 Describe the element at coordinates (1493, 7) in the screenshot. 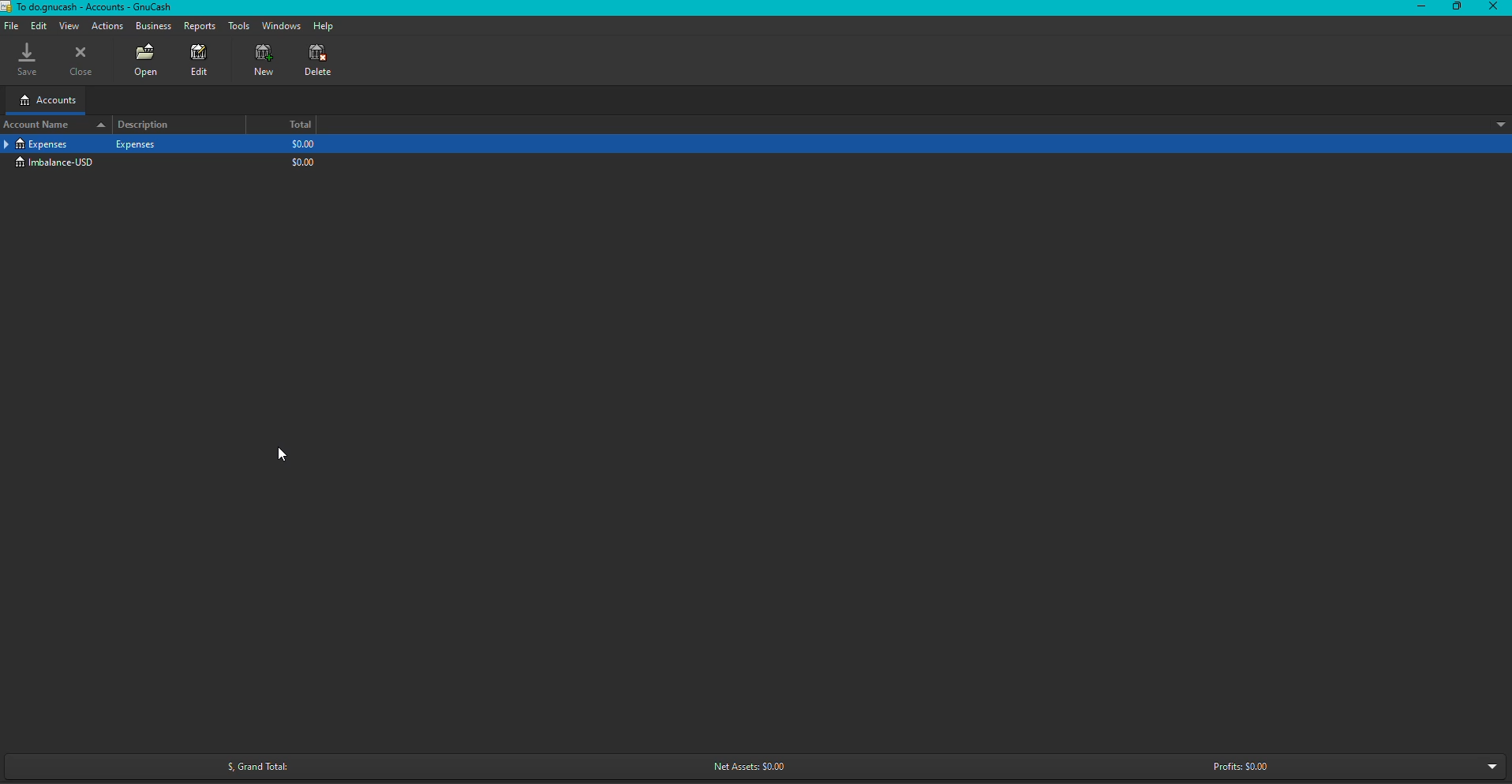

I see `Close` at that location.